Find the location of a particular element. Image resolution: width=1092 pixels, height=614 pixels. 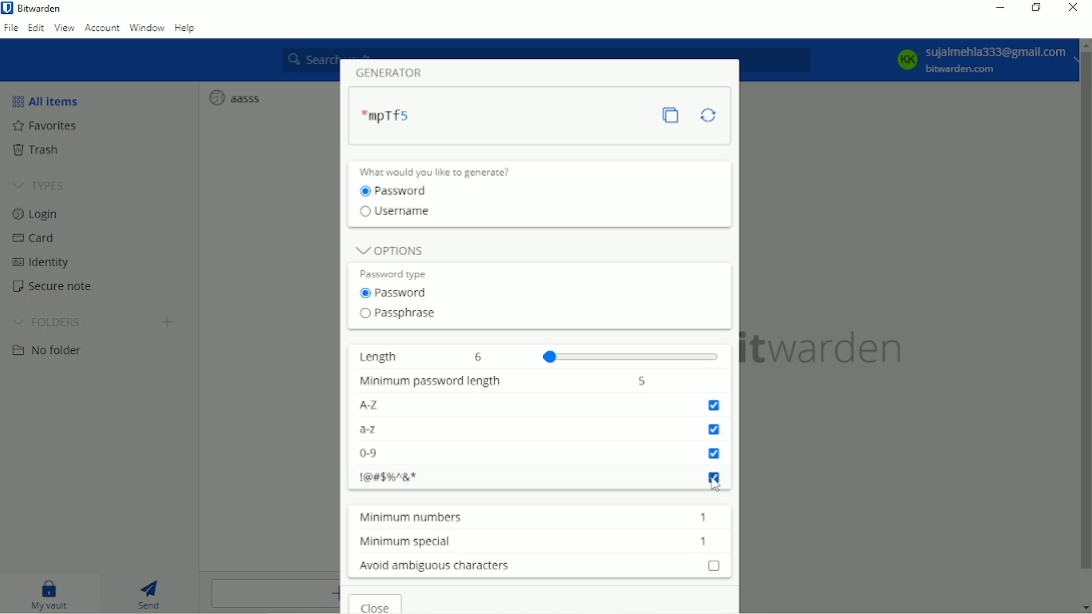

Minimum numbers is located at coordinates (410, 518).